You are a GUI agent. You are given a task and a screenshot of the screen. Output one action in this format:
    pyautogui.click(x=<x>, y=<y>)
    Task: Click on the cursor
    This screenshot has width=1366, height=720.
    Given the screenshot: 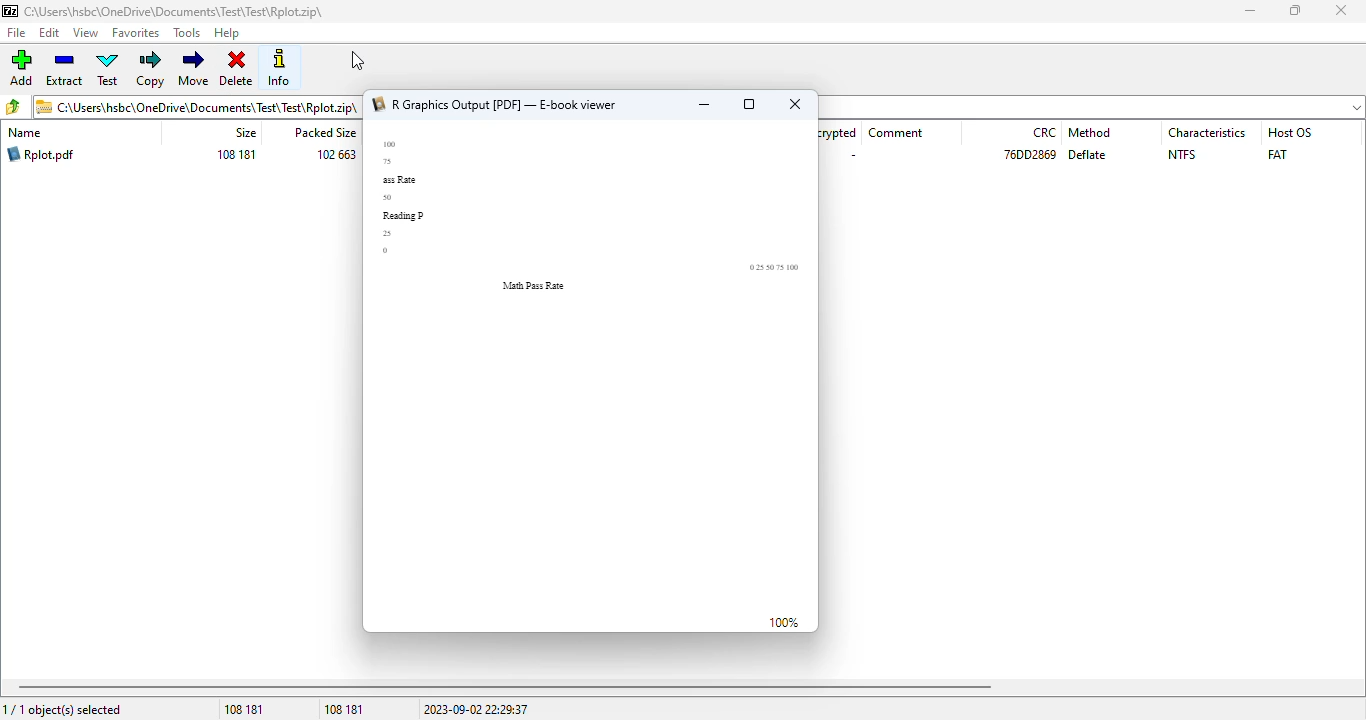 What is the action you would take?
    pyautogui.click(x=358, y=61)
    